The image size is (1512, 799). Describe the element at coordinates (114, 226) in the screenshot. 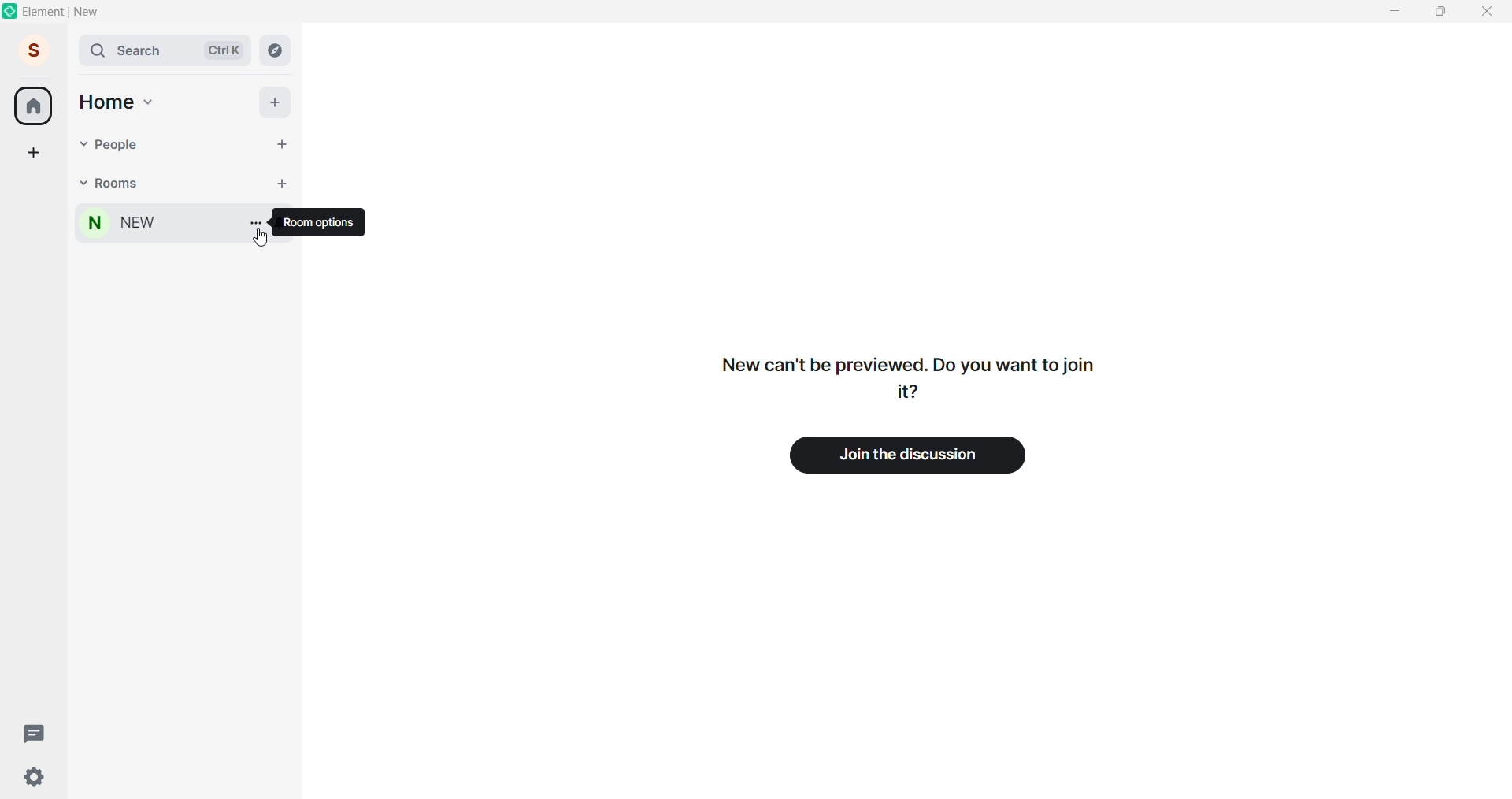

I see `room name` at that location.